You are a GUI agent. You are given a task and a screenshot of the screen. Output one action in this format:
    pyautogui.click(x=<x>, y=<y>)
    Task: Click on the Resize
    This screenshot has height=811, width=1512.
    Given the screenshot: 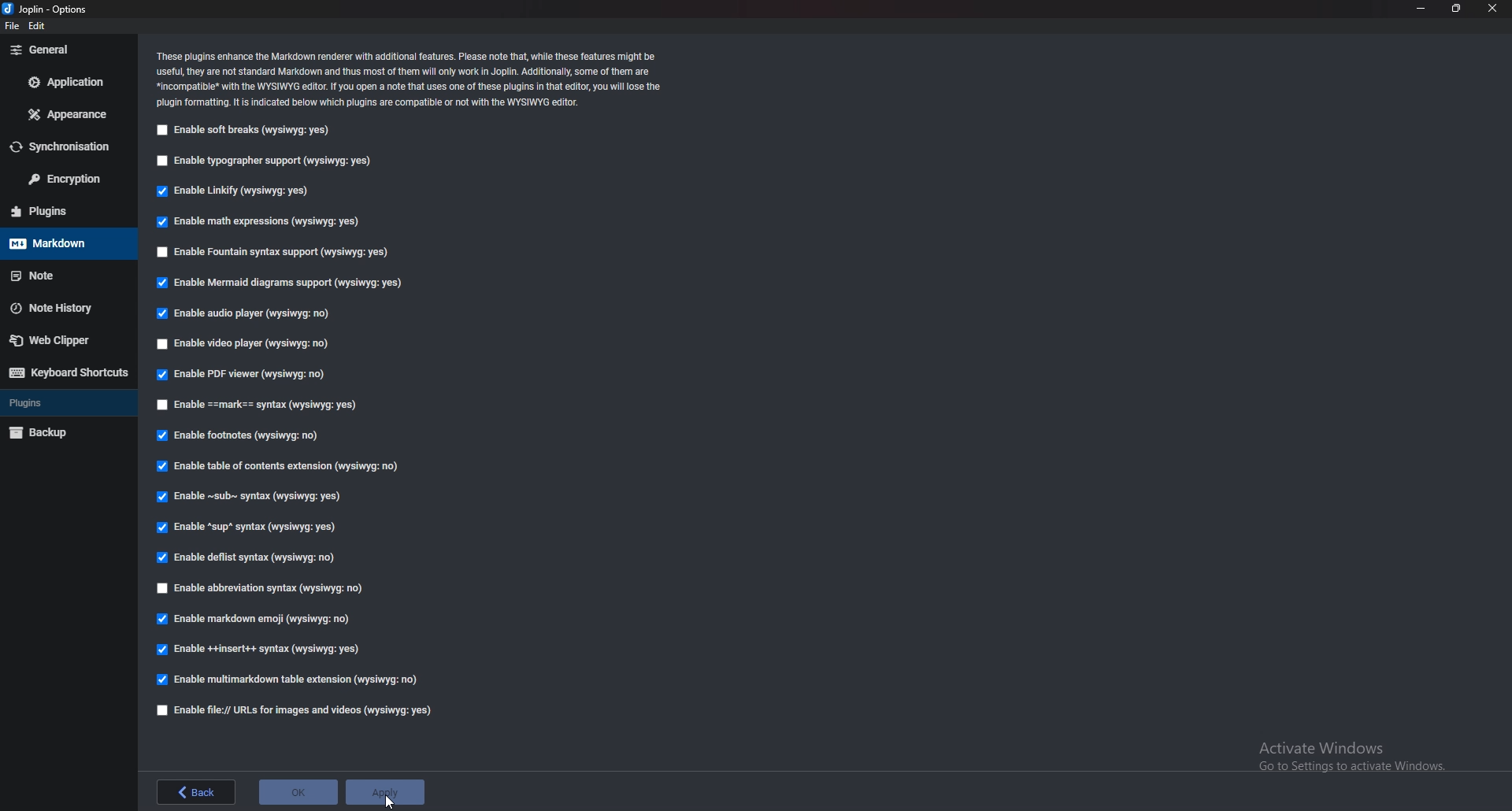 What is the action you would take?
    pyautogui.click(x=1457, y=9)
    